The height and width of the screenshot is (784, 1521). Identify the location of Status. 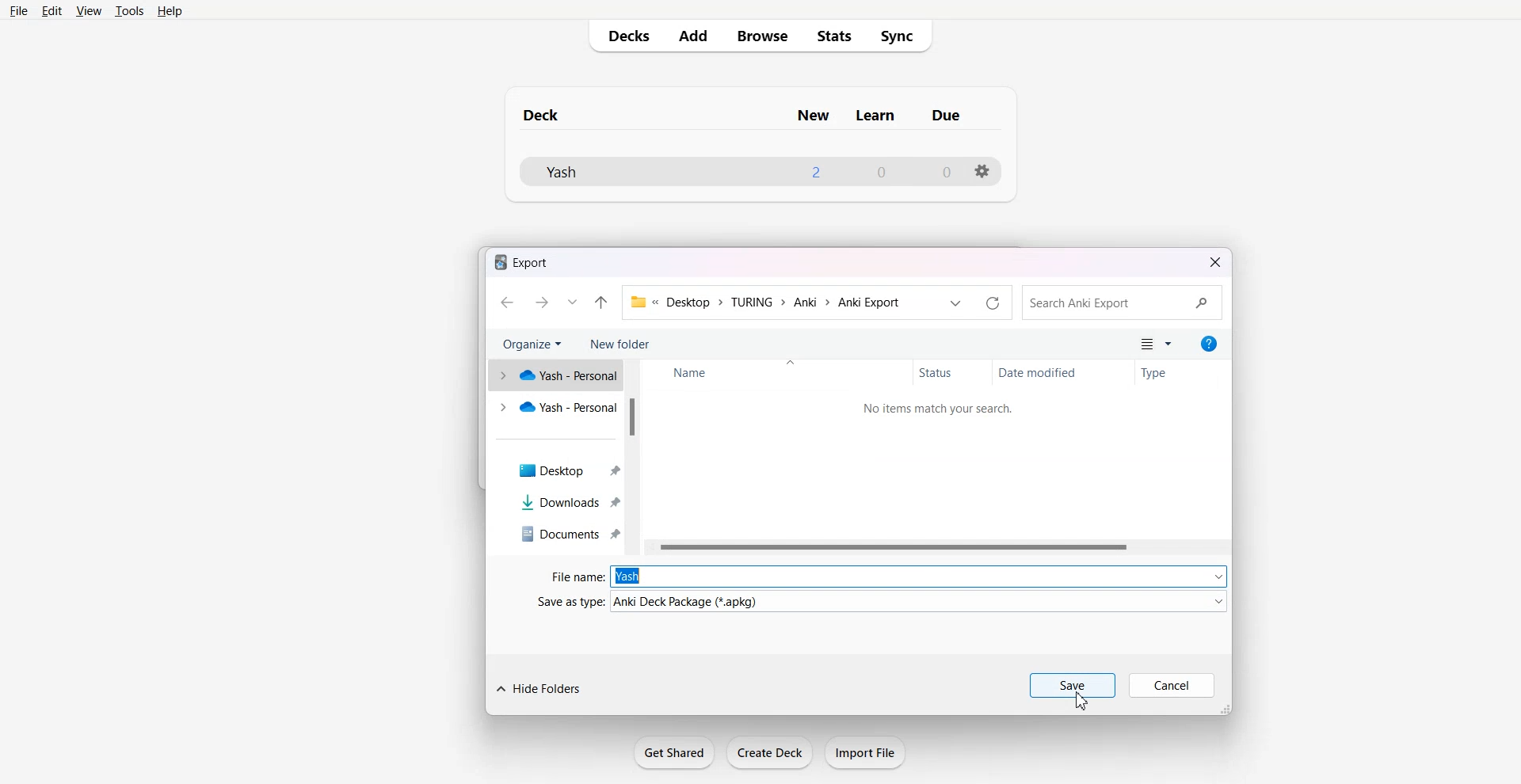
(945, 373).